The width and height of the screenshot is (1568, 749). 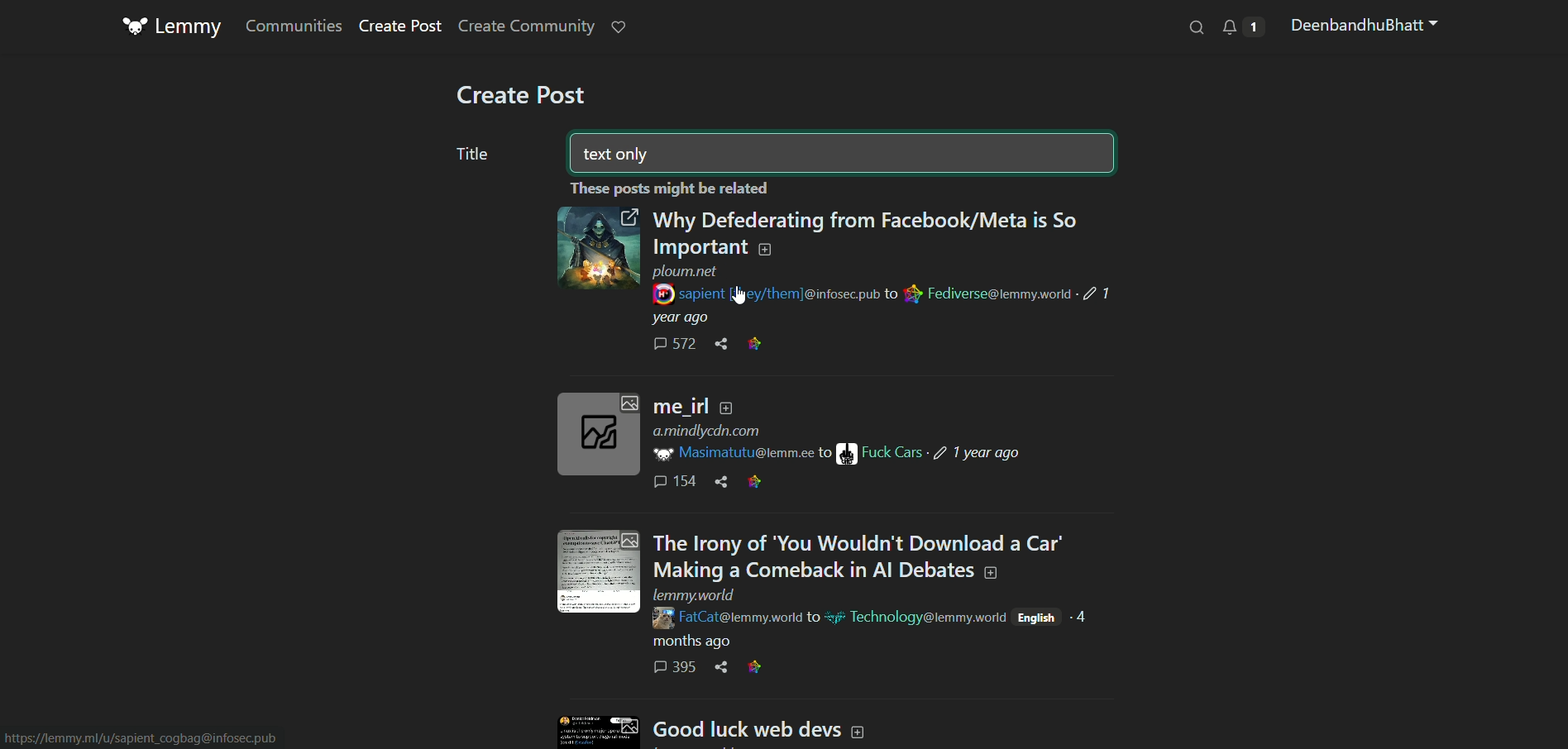 I want to click on Link, so click(x=753, y=343).